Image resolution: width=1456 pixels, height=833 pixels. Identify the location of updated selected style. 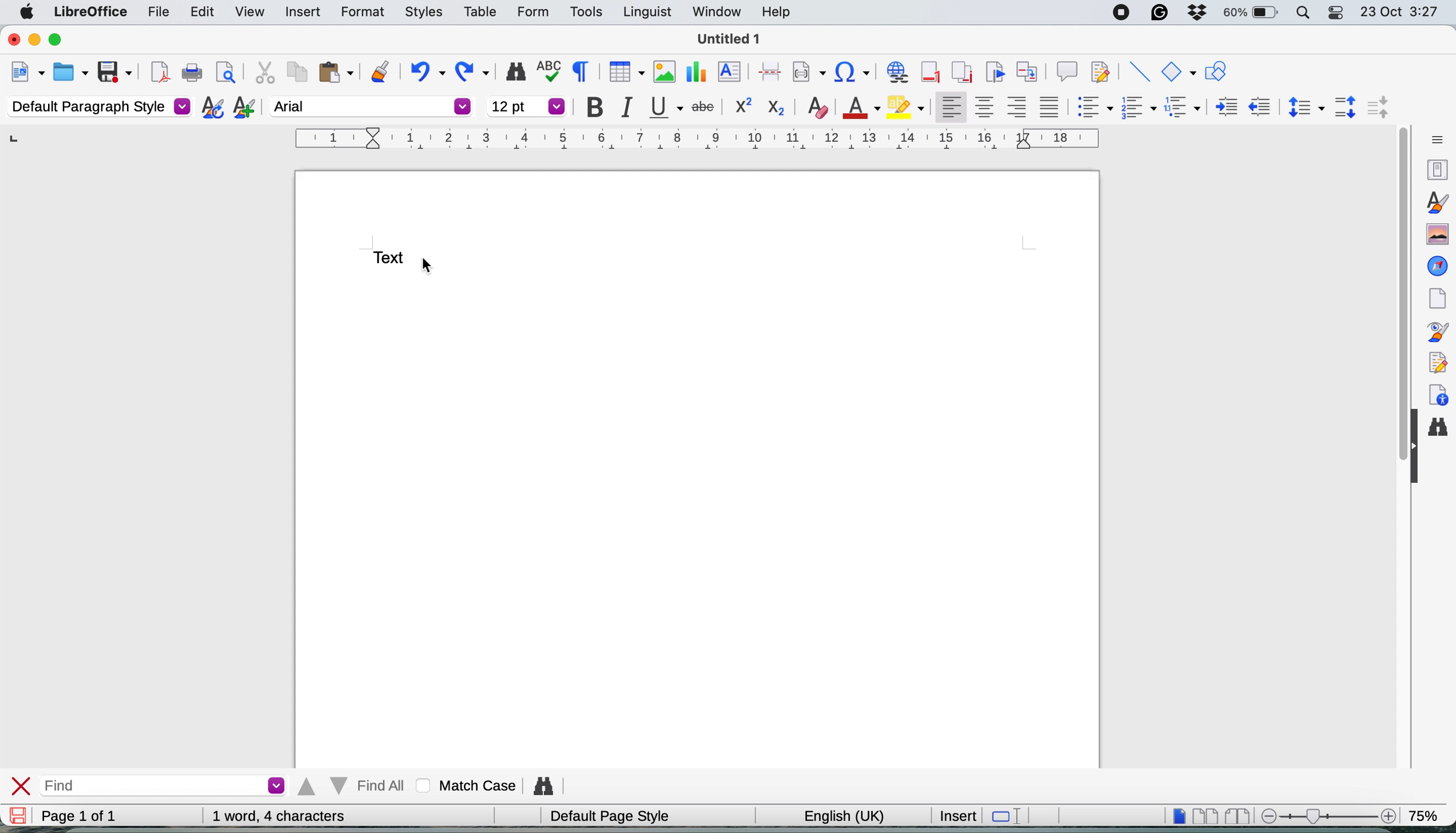
(209, 108).